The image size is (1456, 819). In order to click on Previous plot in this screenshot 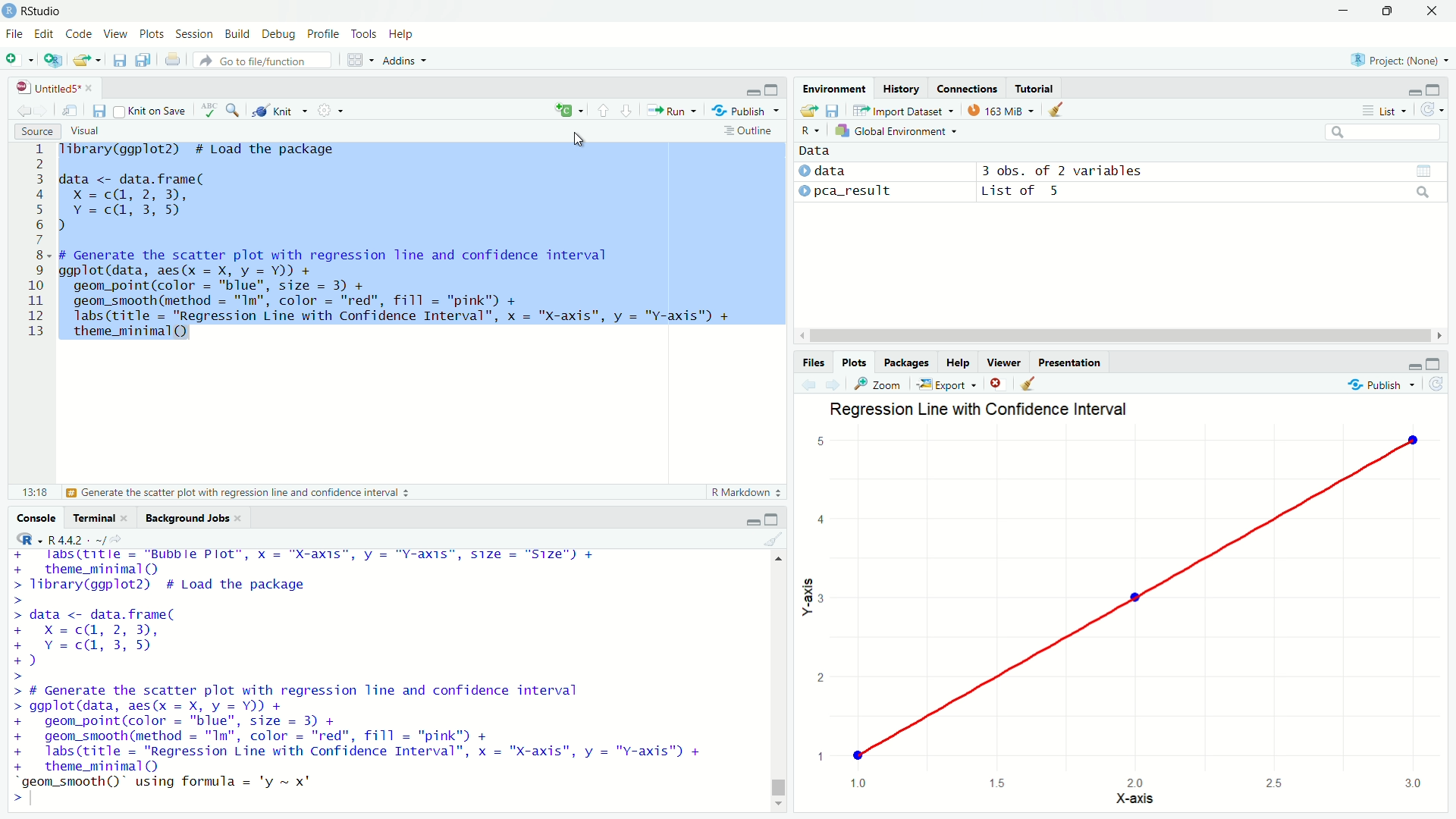, I will do `click(809, 384)`.